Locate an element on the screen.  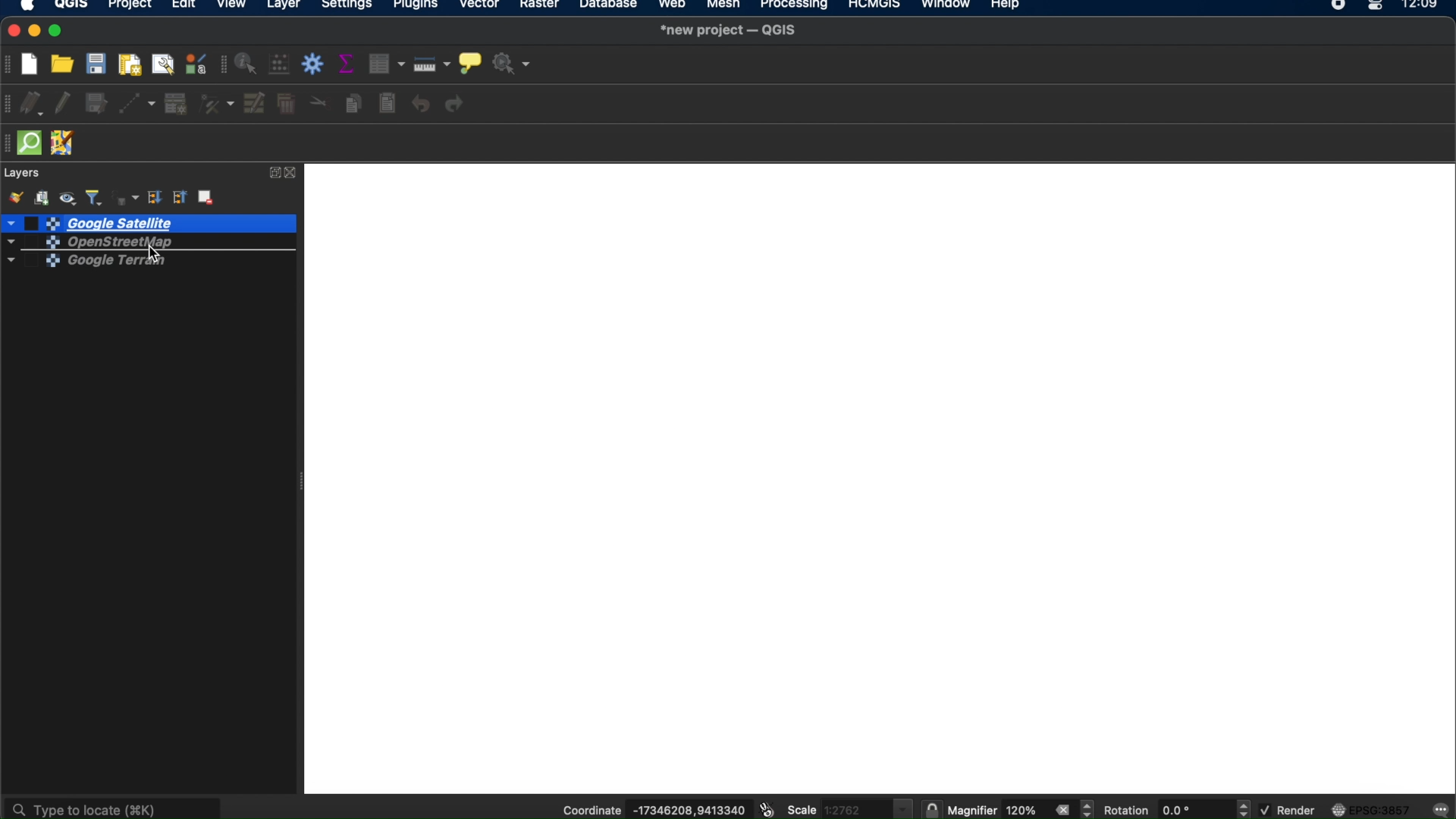
open project is located at coordinates (64, 64).